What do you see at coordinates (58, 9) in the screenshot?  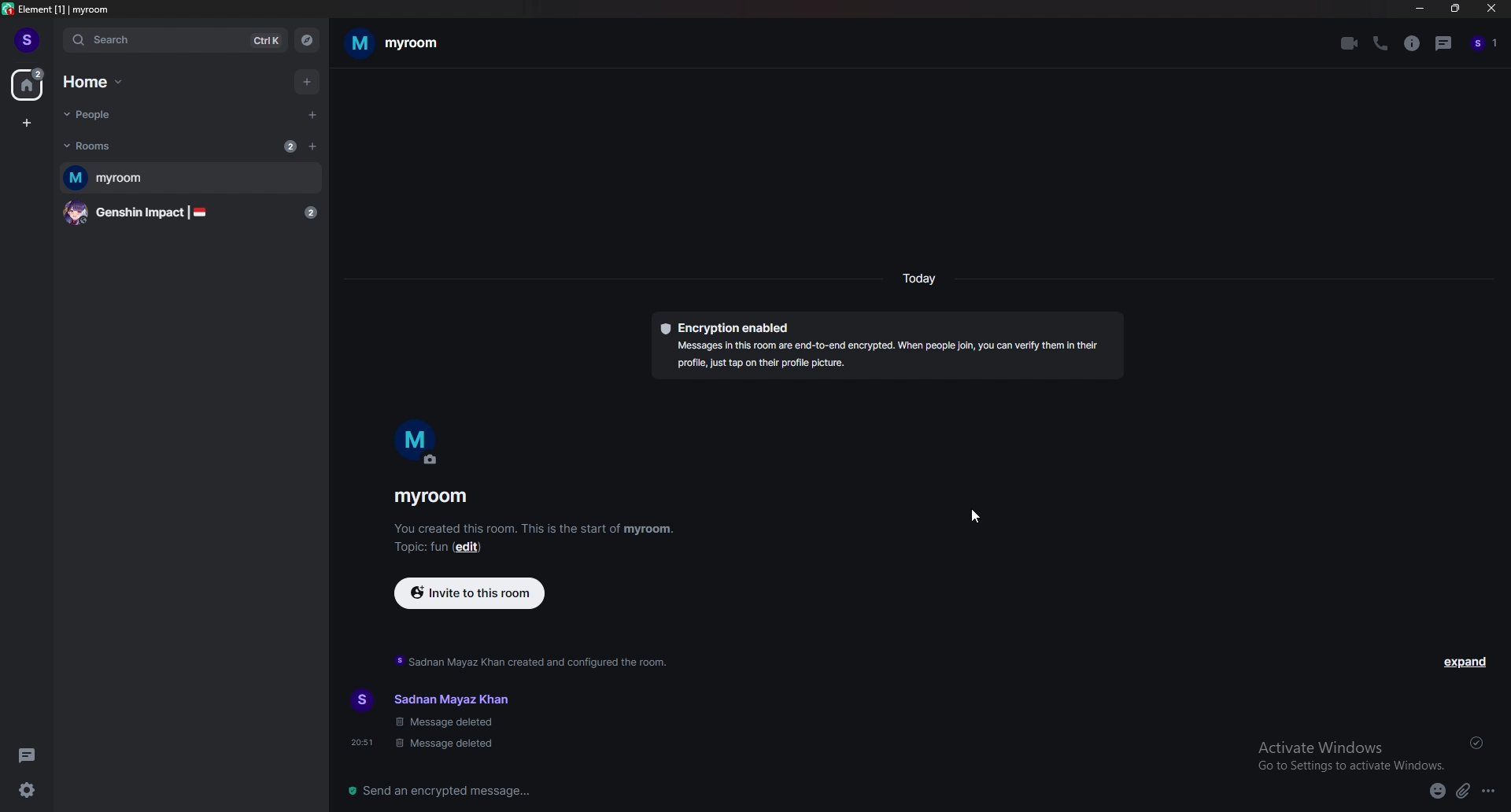 I see `element [1] | myroom` at bounding box center [58, 9].